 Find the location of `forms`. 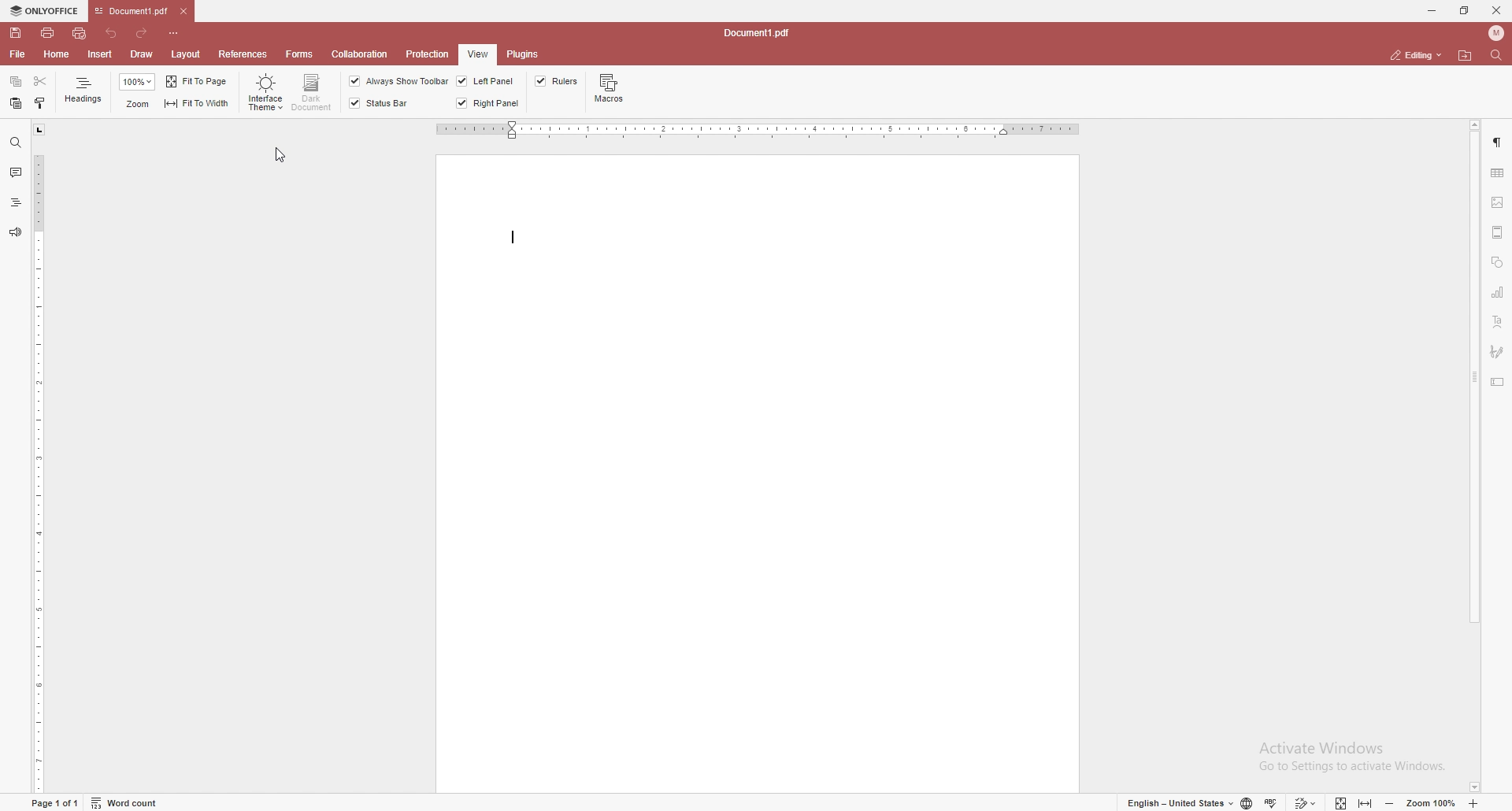

forms is located at coordinates (300, 54).